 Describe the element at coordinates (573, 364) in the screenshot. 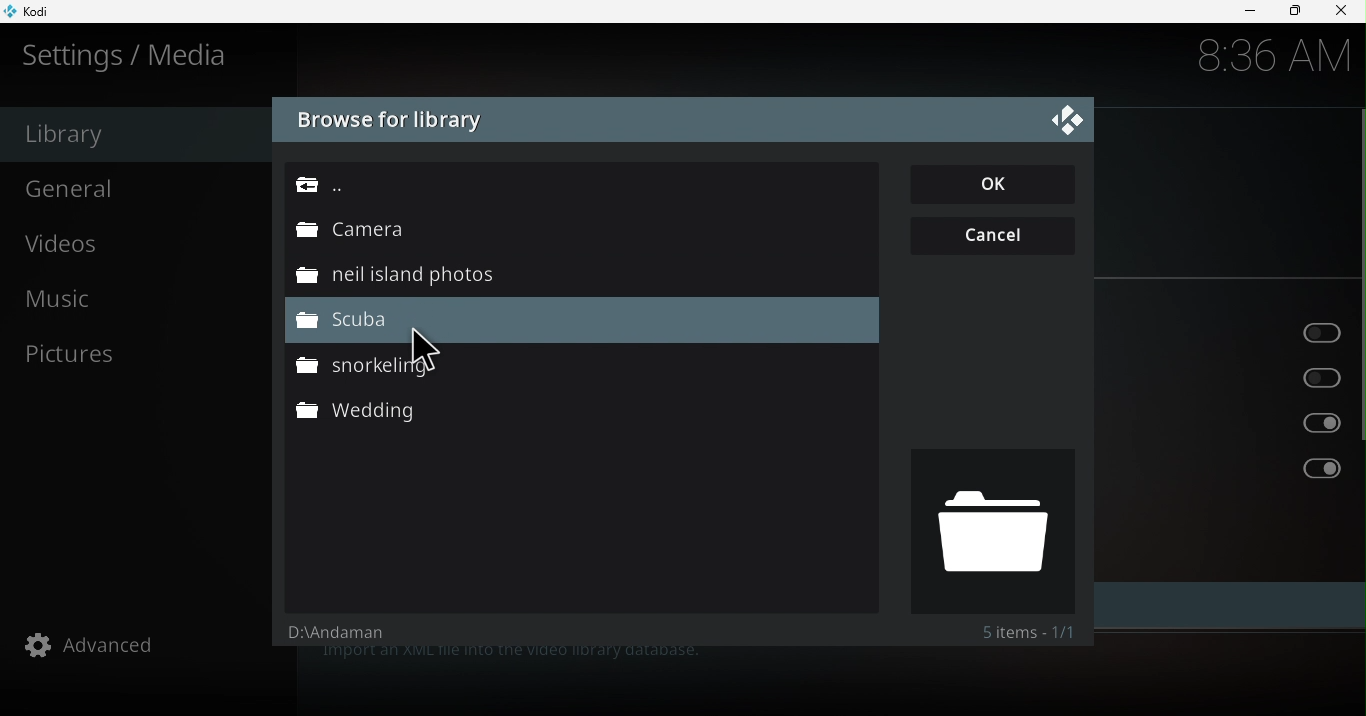

I see `Snorkling` at that location.